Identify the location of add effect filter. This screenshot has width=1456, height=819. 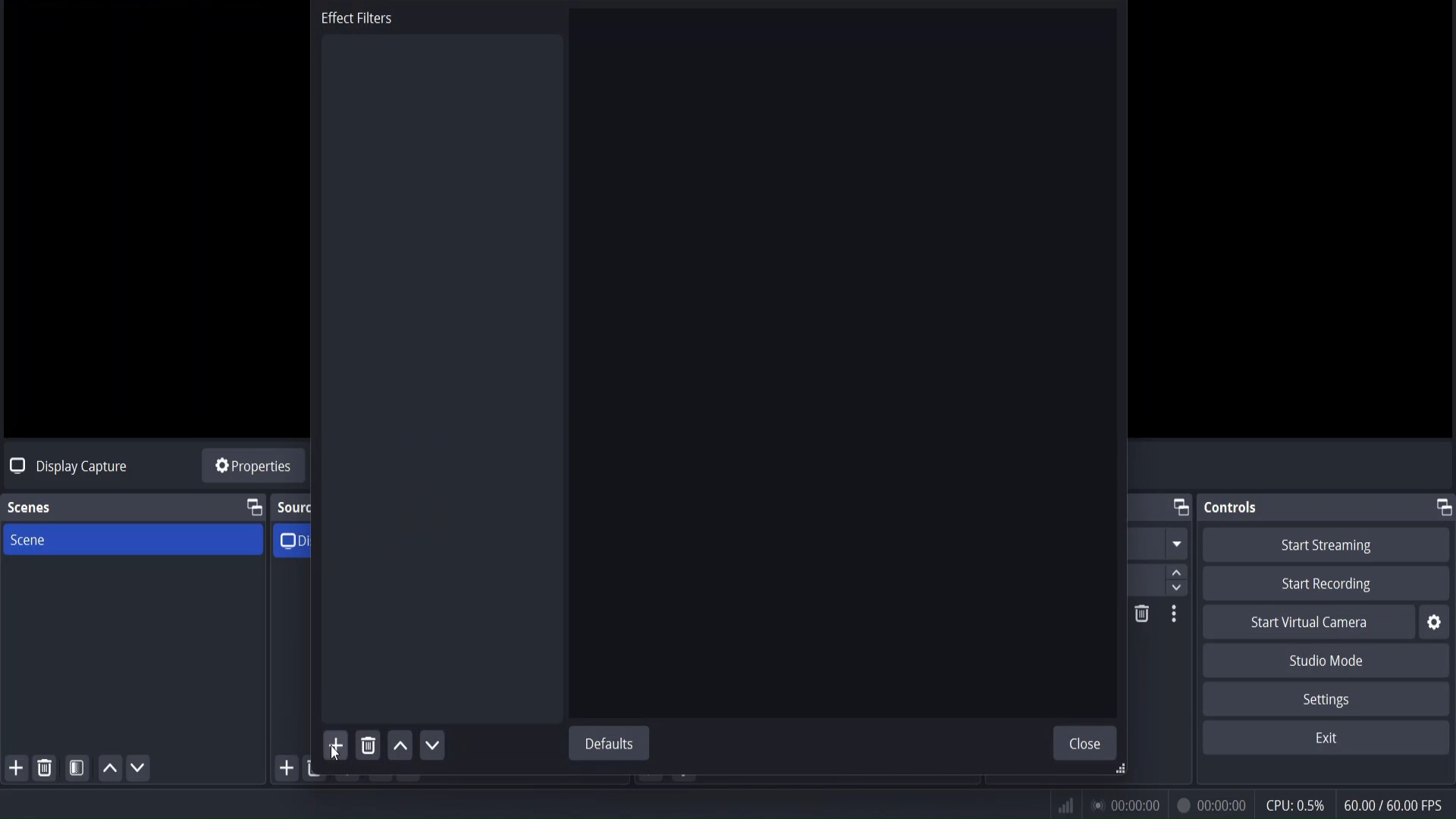
(333, 745).